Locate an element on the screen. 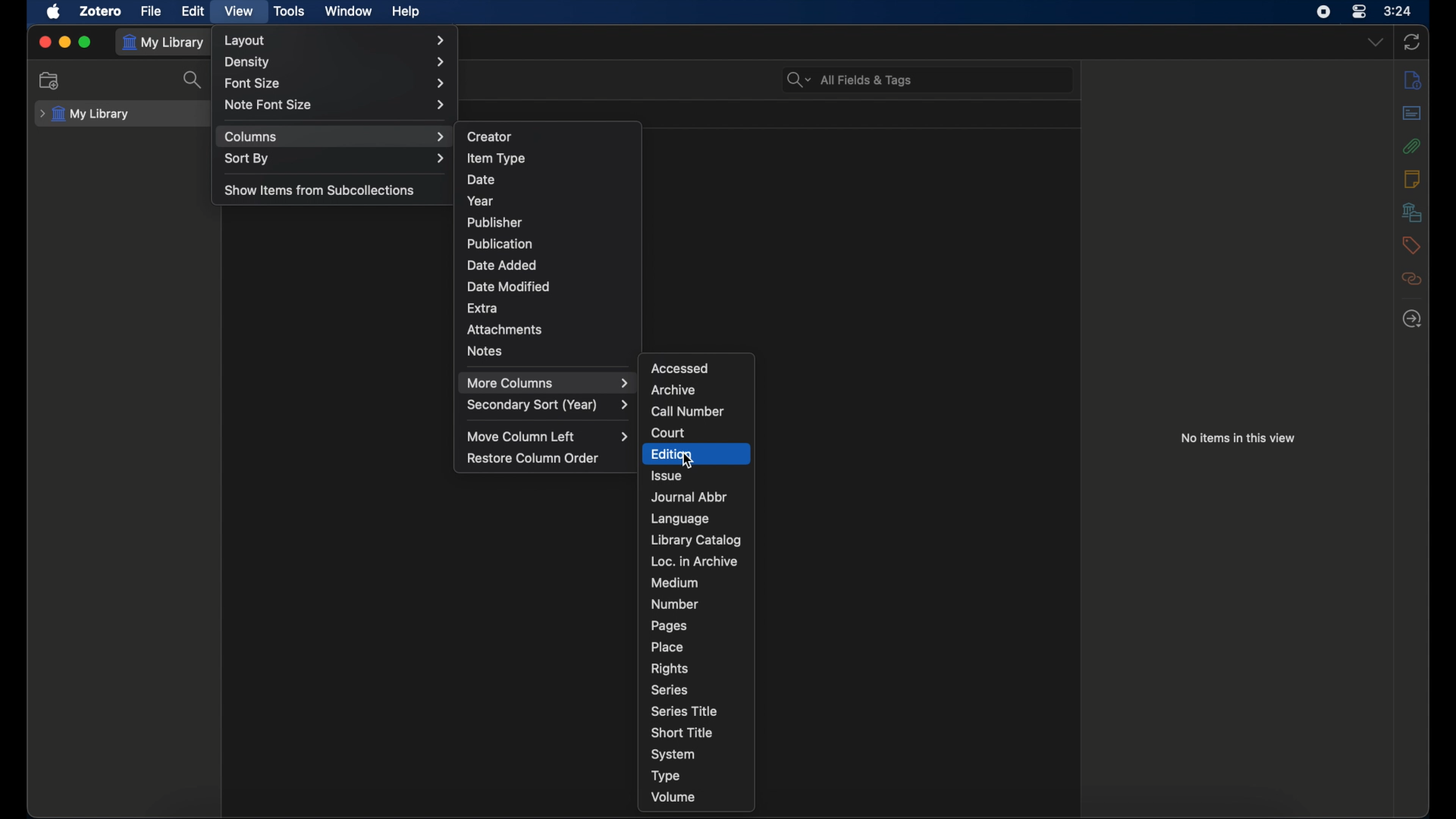 Image resolution: width=1456 pixels, height=819 pixels. window is located at coordinates (349, 10).